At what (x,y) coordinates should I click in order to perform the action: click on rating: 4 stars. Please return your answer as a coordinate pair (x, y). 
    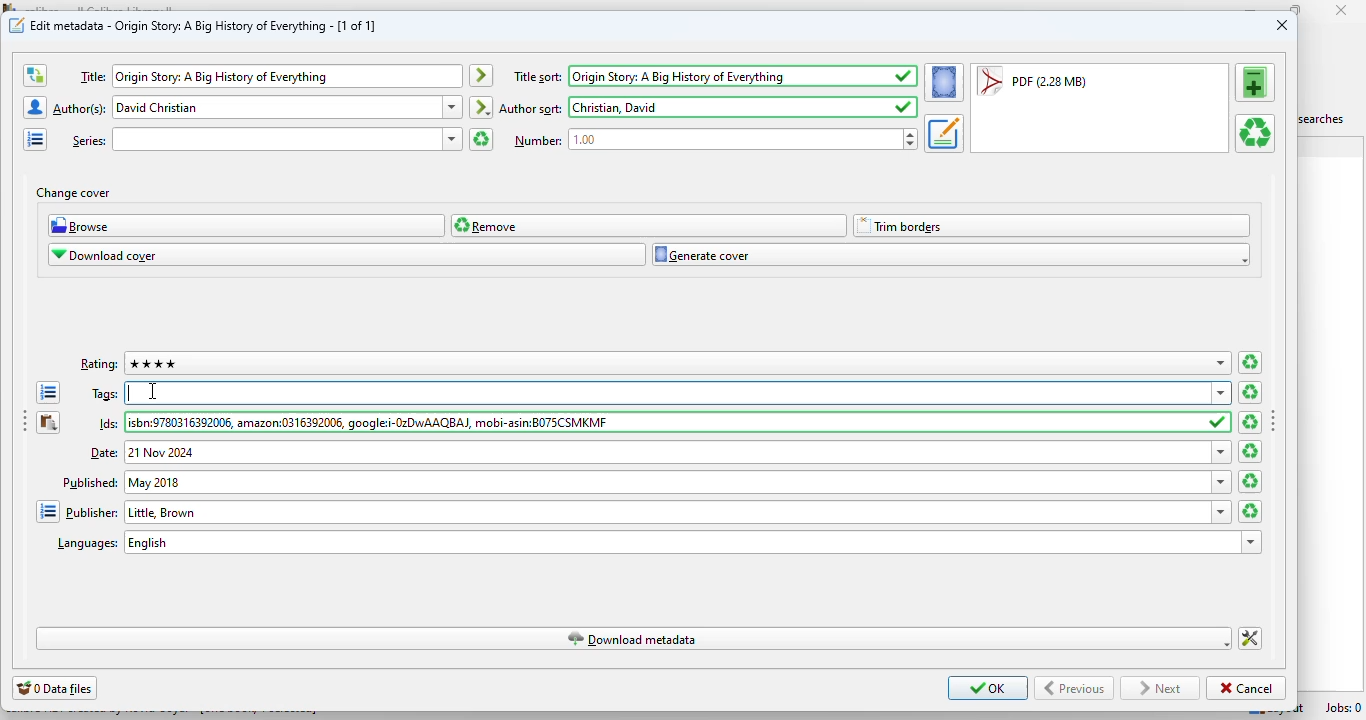
    Looking at the image, I should click on (665, 363).